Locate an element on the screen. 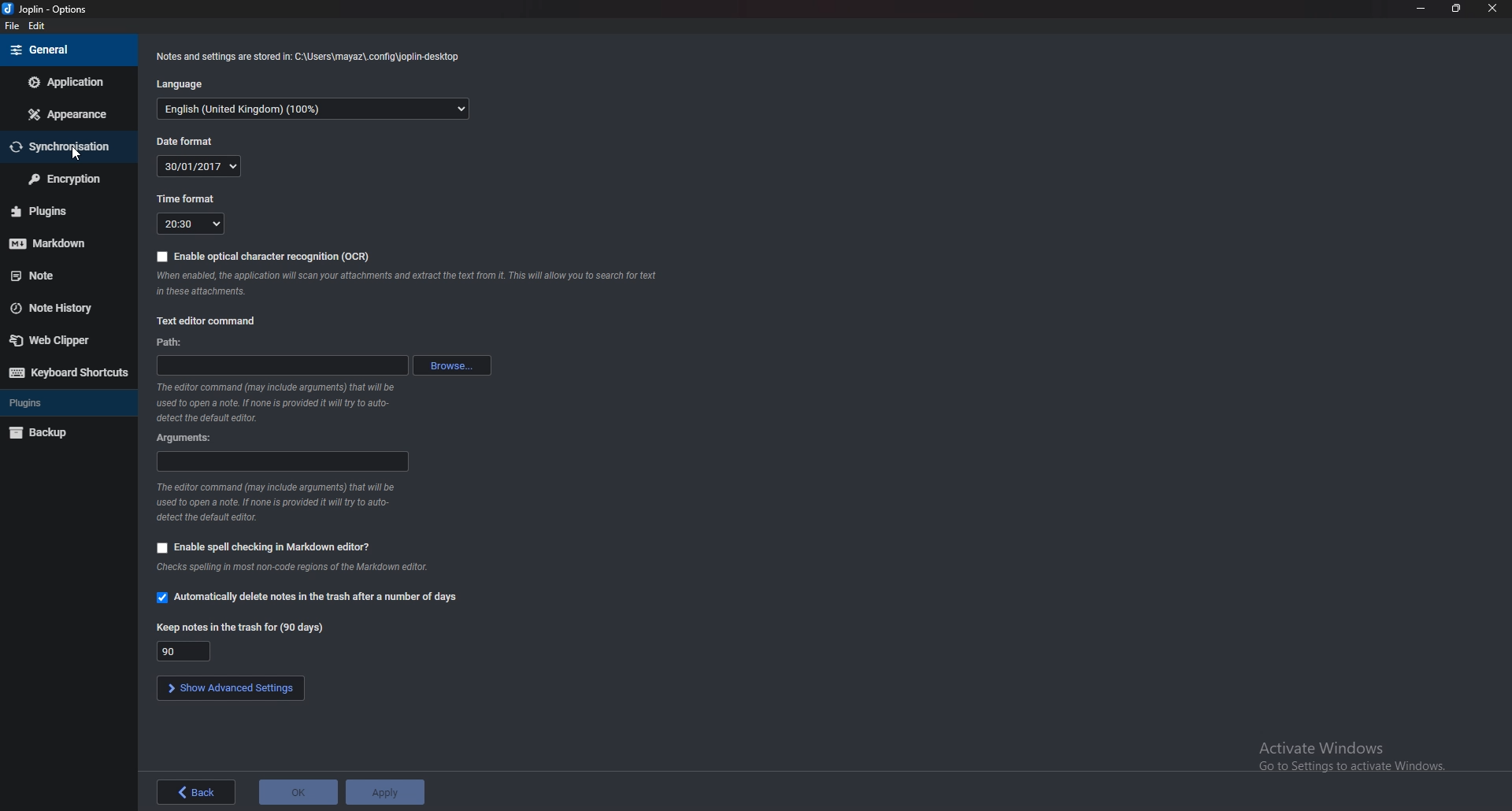 The width and height of the screenshot is (1512, 811). general is located at coordinates (69, 50).